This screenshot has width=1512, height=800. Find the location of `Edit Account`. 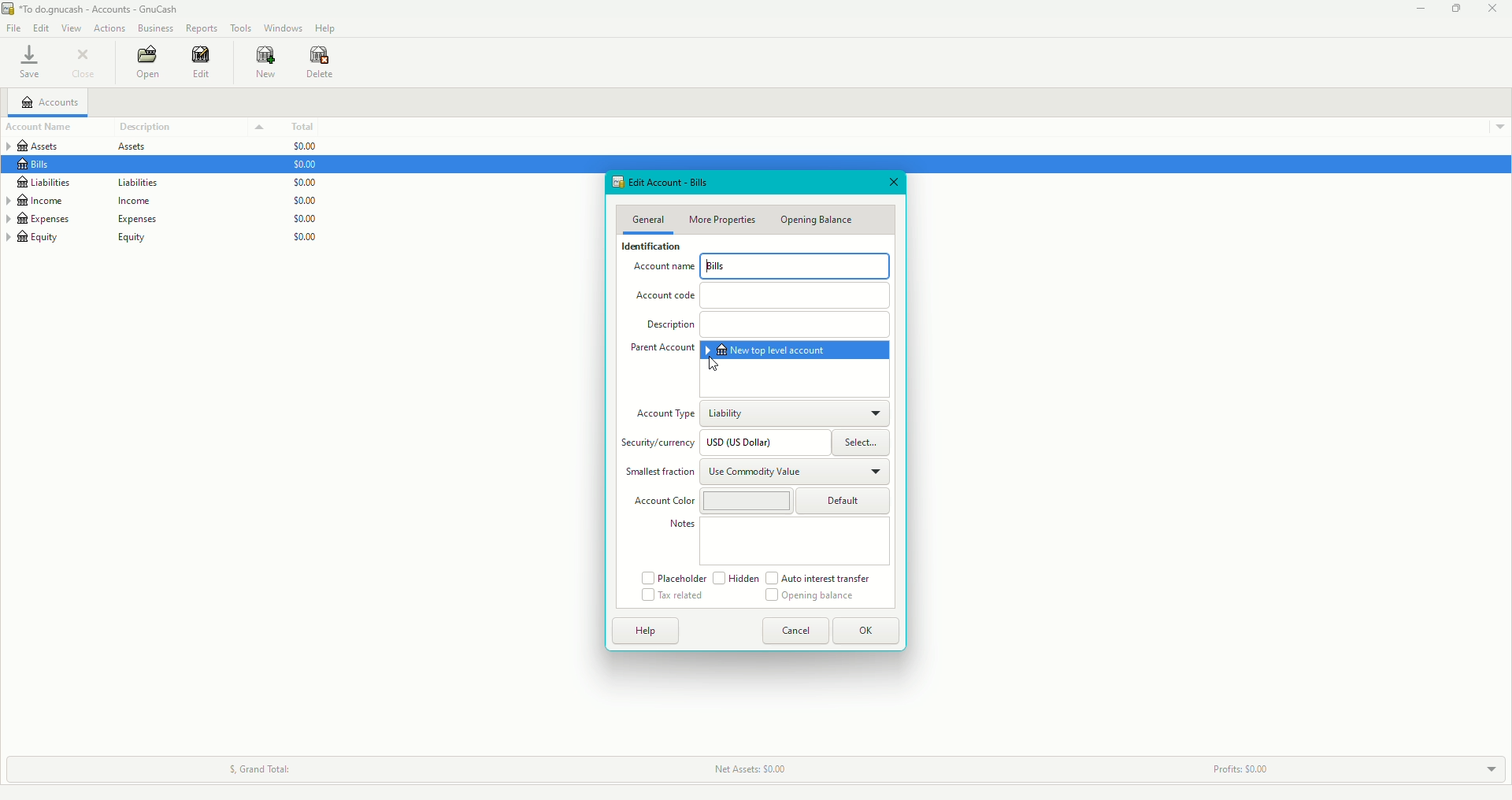

Edit Account is located at coordinates (665, 183).